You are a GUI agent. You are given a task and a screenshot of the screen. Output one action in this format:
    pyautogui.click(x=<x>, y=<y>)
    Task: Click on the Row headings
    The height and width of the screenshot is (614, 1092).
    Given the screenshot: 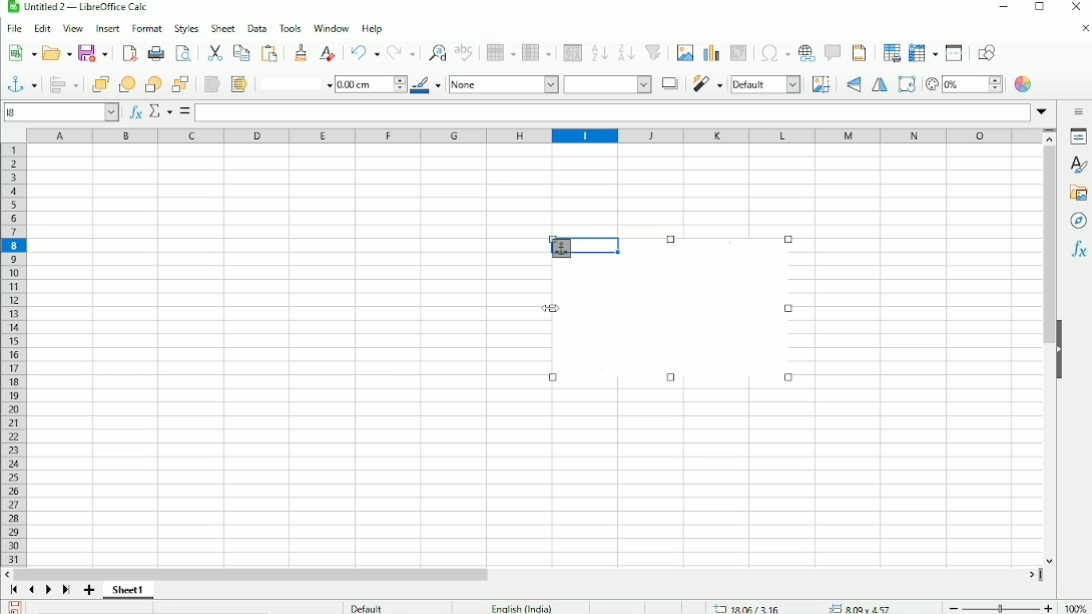 What is the action you would take?
    pyautogui.click(x=12, y=354)
    